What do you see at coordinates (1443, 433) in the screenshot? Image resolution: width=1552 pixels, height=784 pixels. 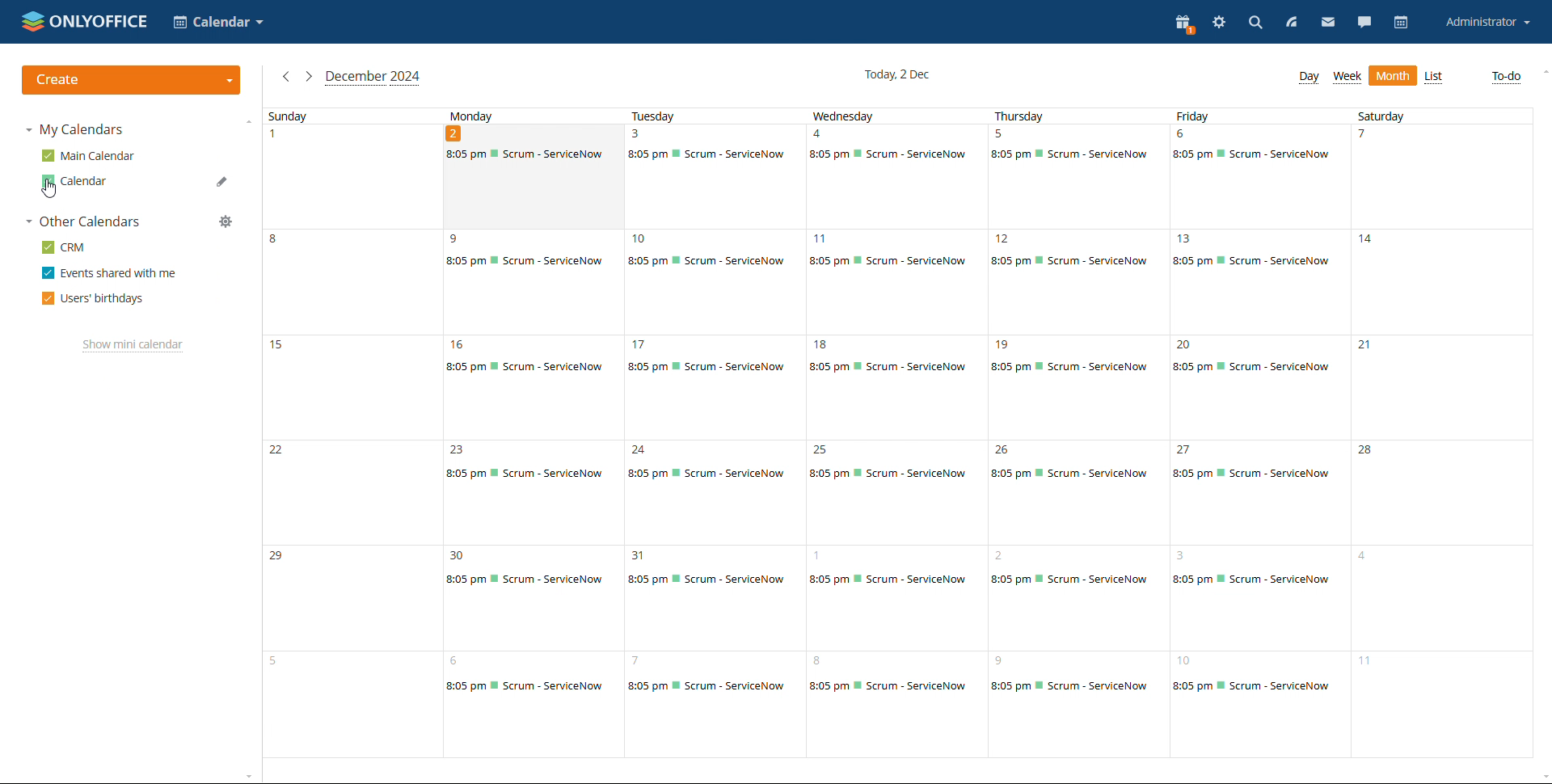 I see `saturday` at bounding box center [1443, 433].